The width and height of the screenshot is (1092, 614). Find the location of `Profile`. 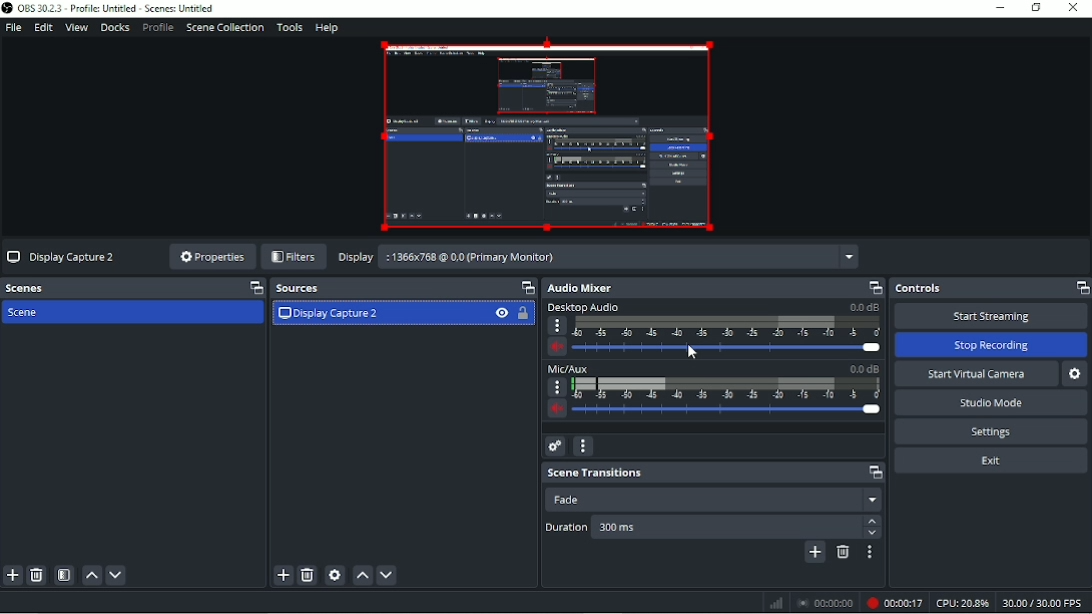

Profile is located at coordinates (157, 28).